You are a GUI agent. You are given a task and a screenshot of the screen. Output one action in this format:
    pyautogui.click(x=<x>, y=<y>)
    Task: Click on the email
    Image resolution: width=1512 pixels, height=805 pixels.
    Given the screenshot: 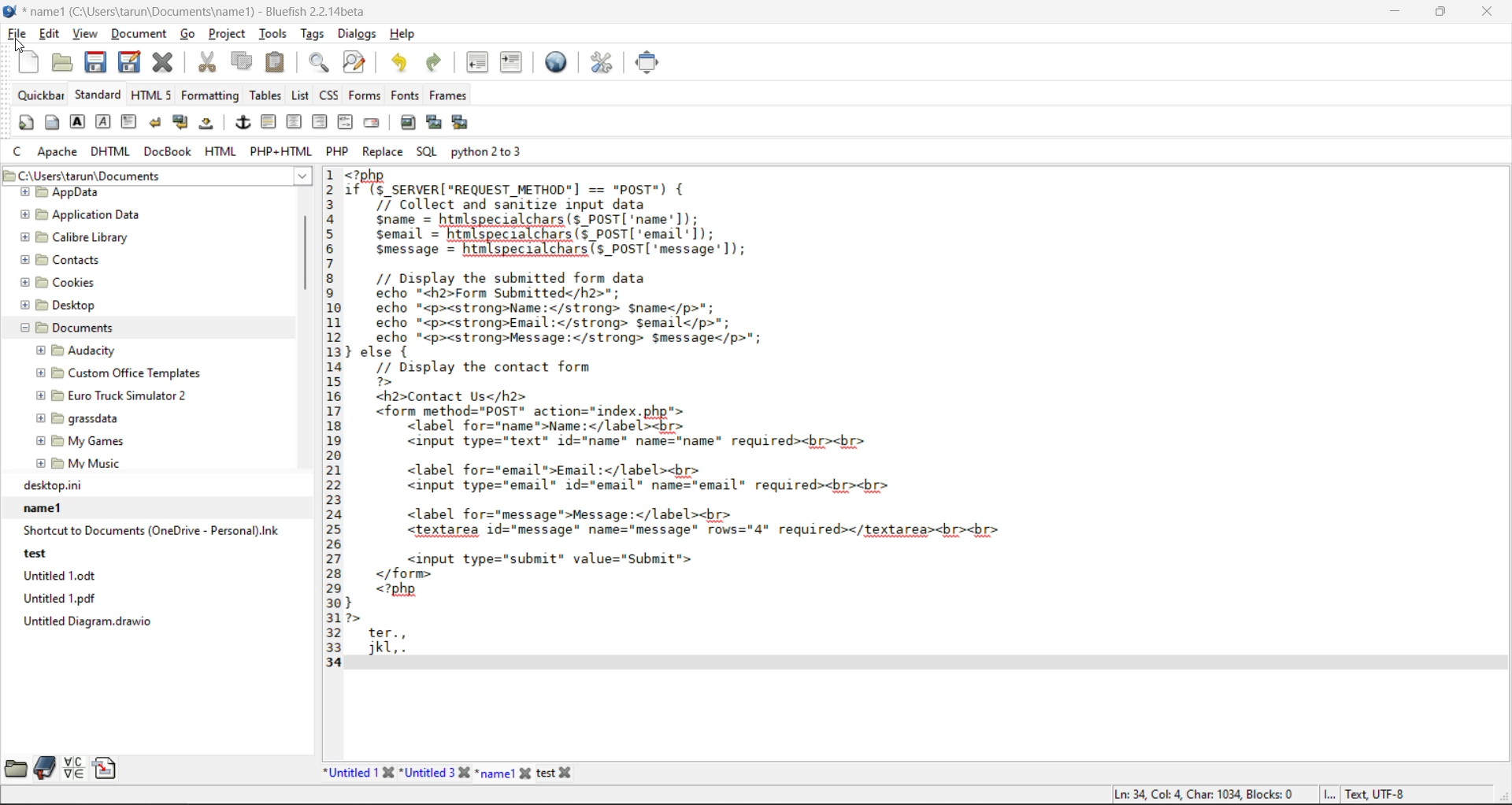 What is the action you would take?
    pyautogui.click(x=374, y=124)
    